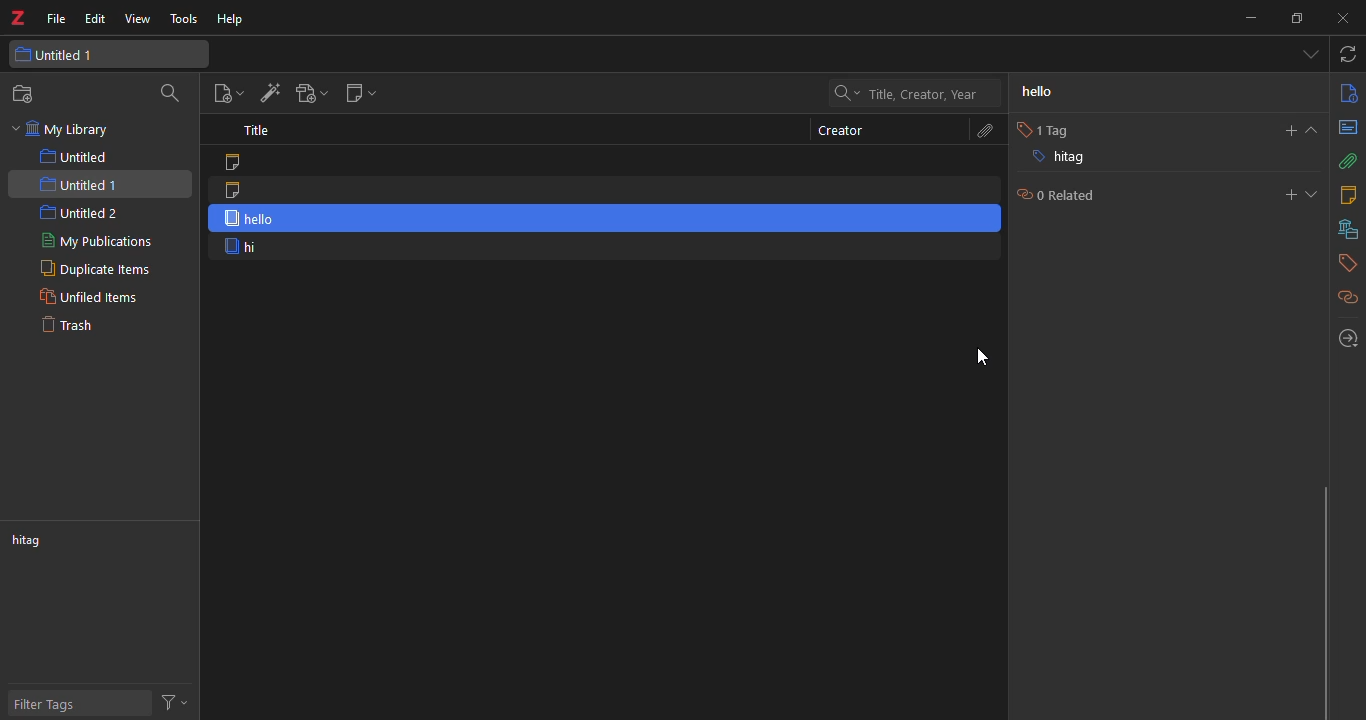 Image resolution: width=1366 pixels, height=720 pixels. What do you see at coordinates (67, 130) in the screenshot?
I see `my library` at bounding box center [67, 130].